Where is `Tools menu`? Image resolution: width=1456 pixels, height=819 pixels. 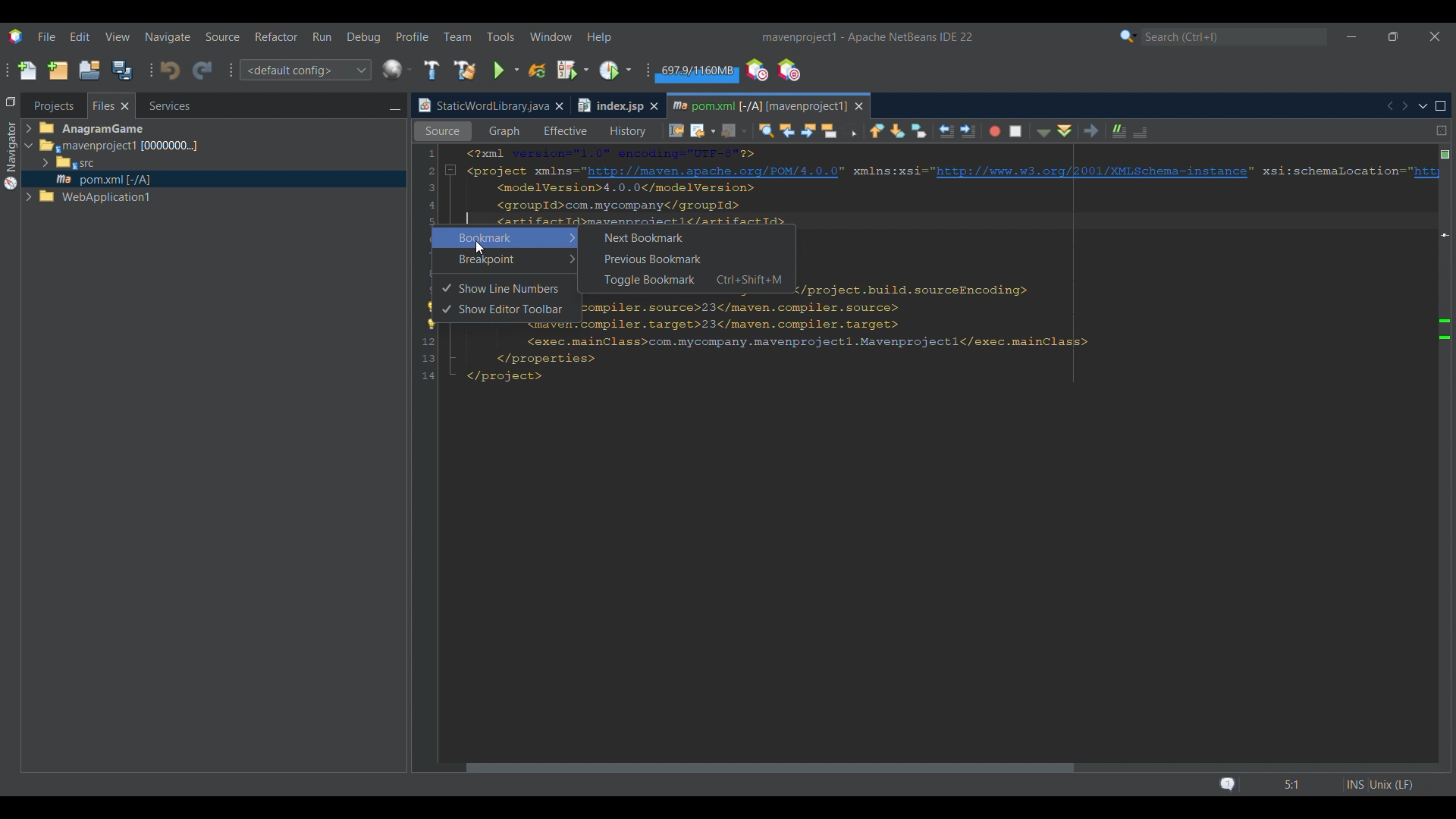
Tools menu is located at coordinates (500, 36).